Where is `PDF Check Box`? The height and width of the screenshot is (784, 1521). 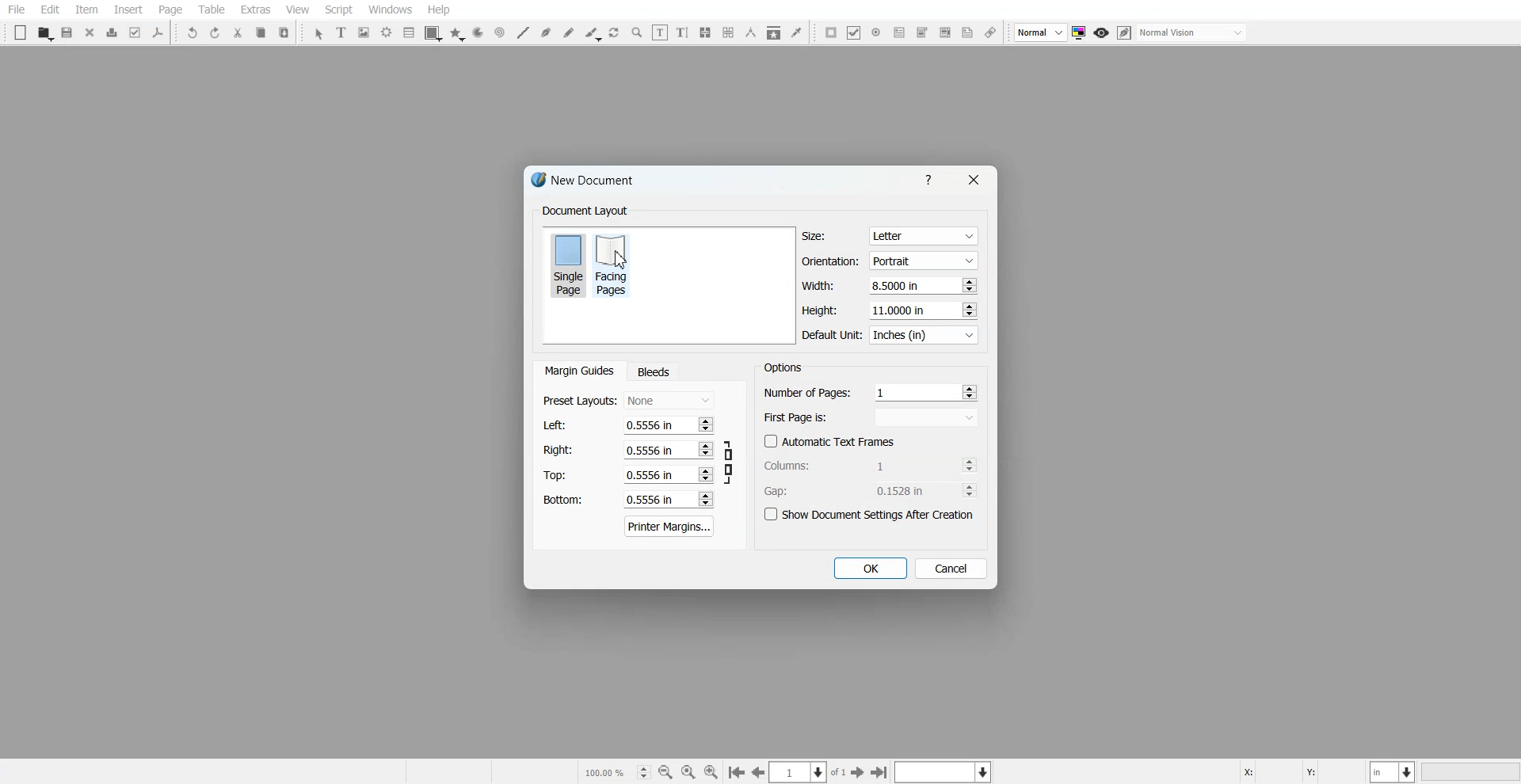
PDF Check Box is located at coordinates (854, 32).